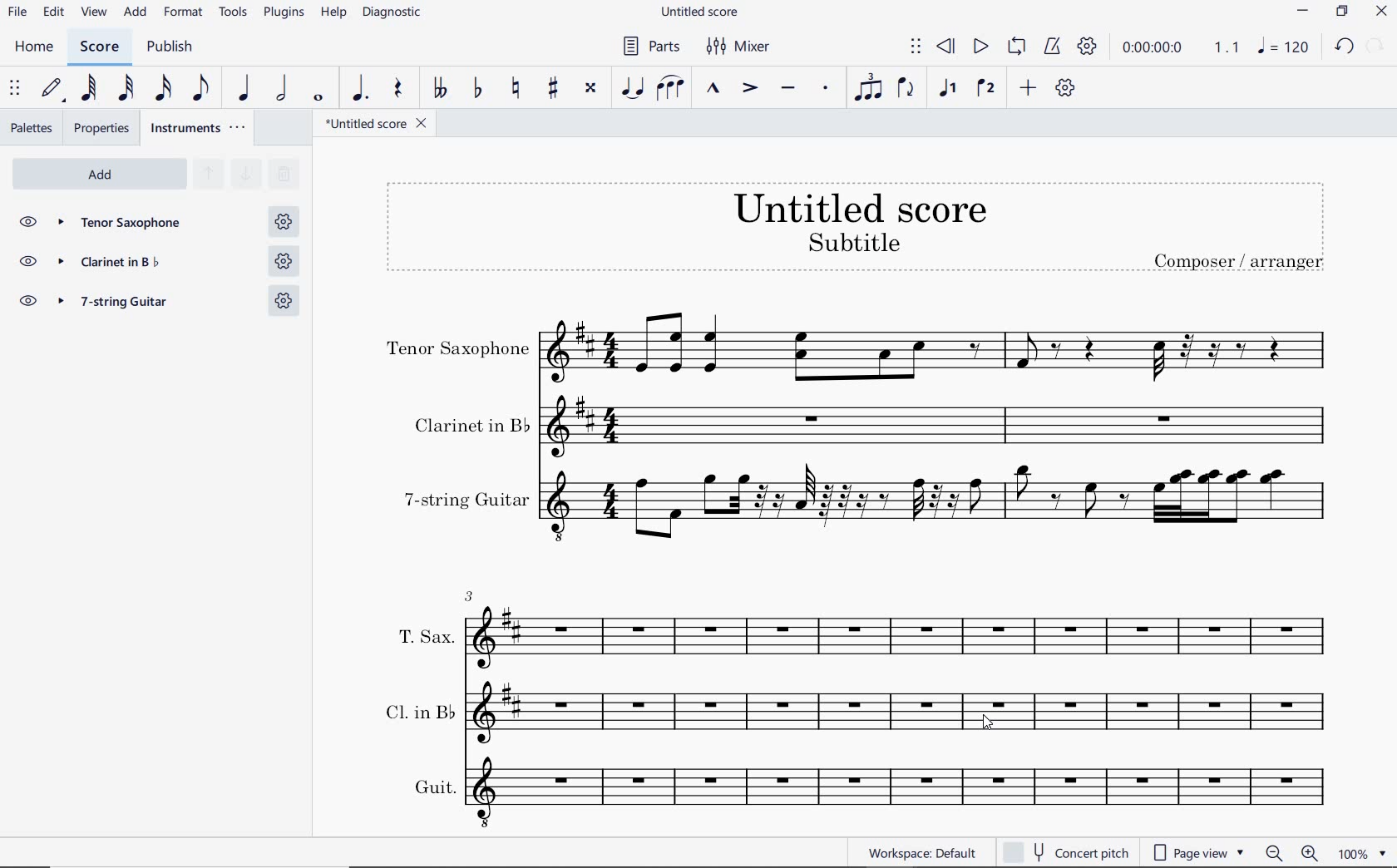 This screenshot has height=868, width=1397. What do you see at coordinates (671, 89) in the screenshot?
I see `SLUR` at bounding box center [671, 89].